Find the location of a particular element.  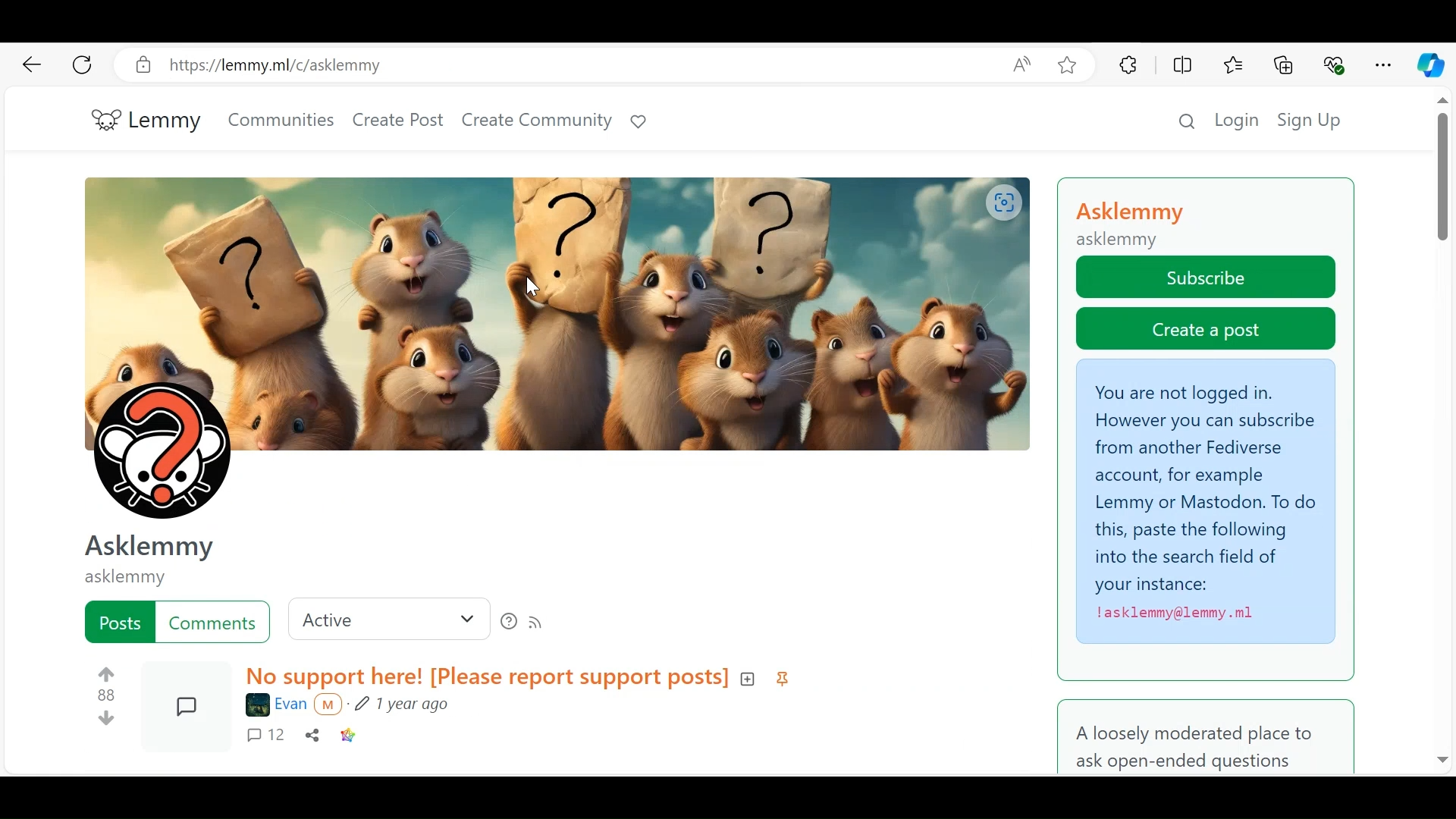

Create a post is located at coordinates (1207, 329).